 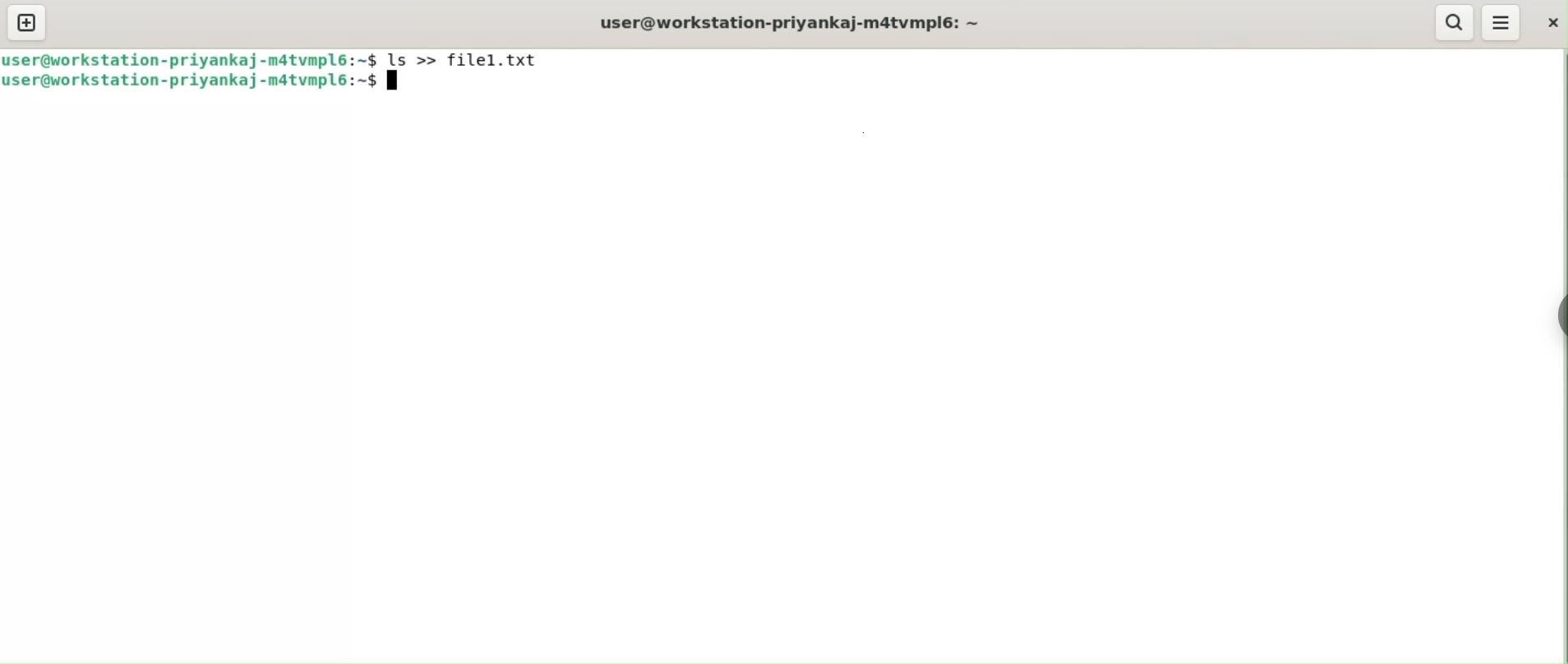 What do you see at coordinates (782, 21) in the screenshot?
I see `user@workstation-priyankaj-m4tvmpl6: ~` at bounding box center [782, 21].